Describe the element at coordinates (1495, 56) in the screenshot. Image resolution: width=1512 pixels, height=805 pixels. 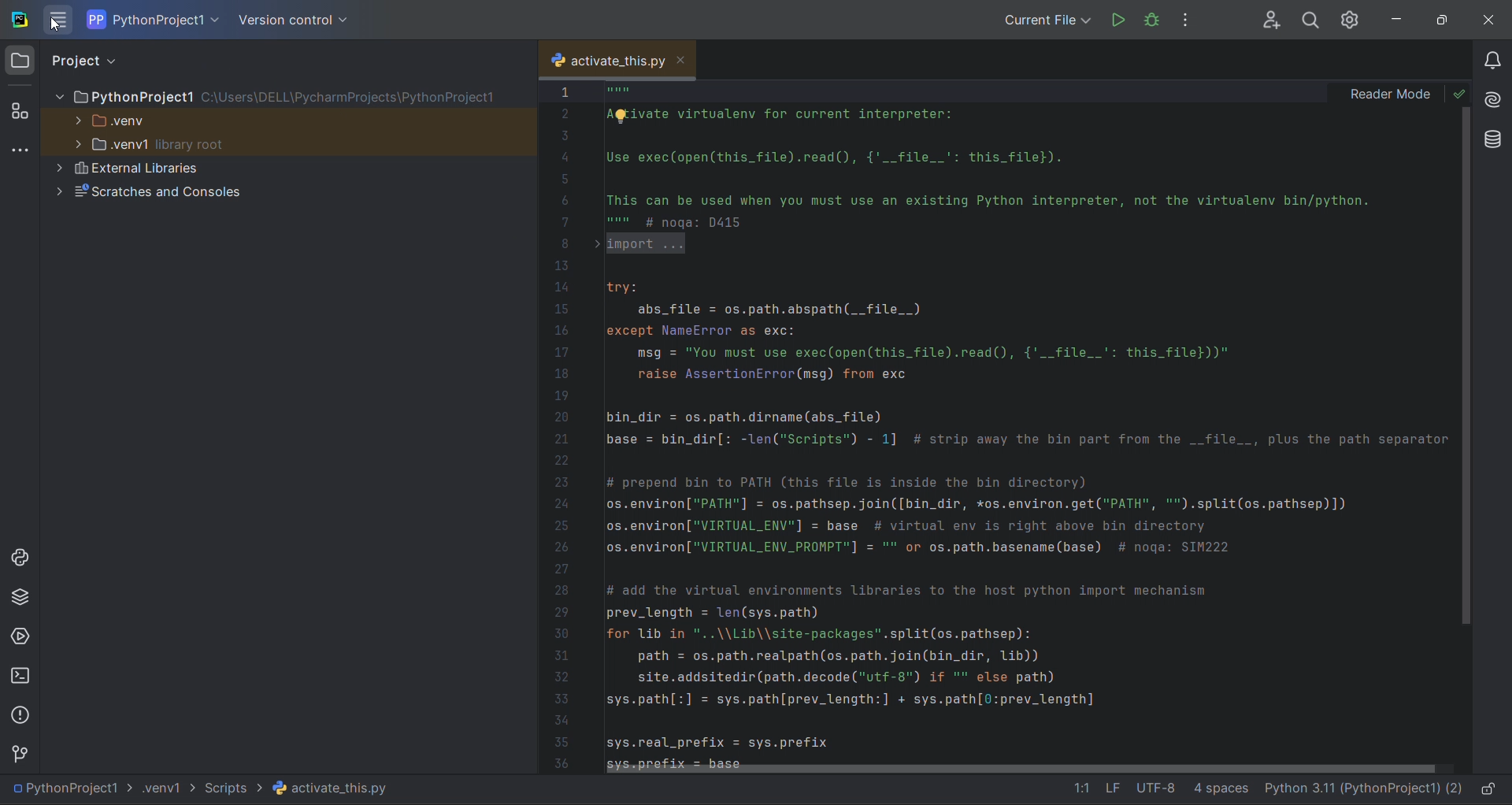
I see `notifications` at that location.